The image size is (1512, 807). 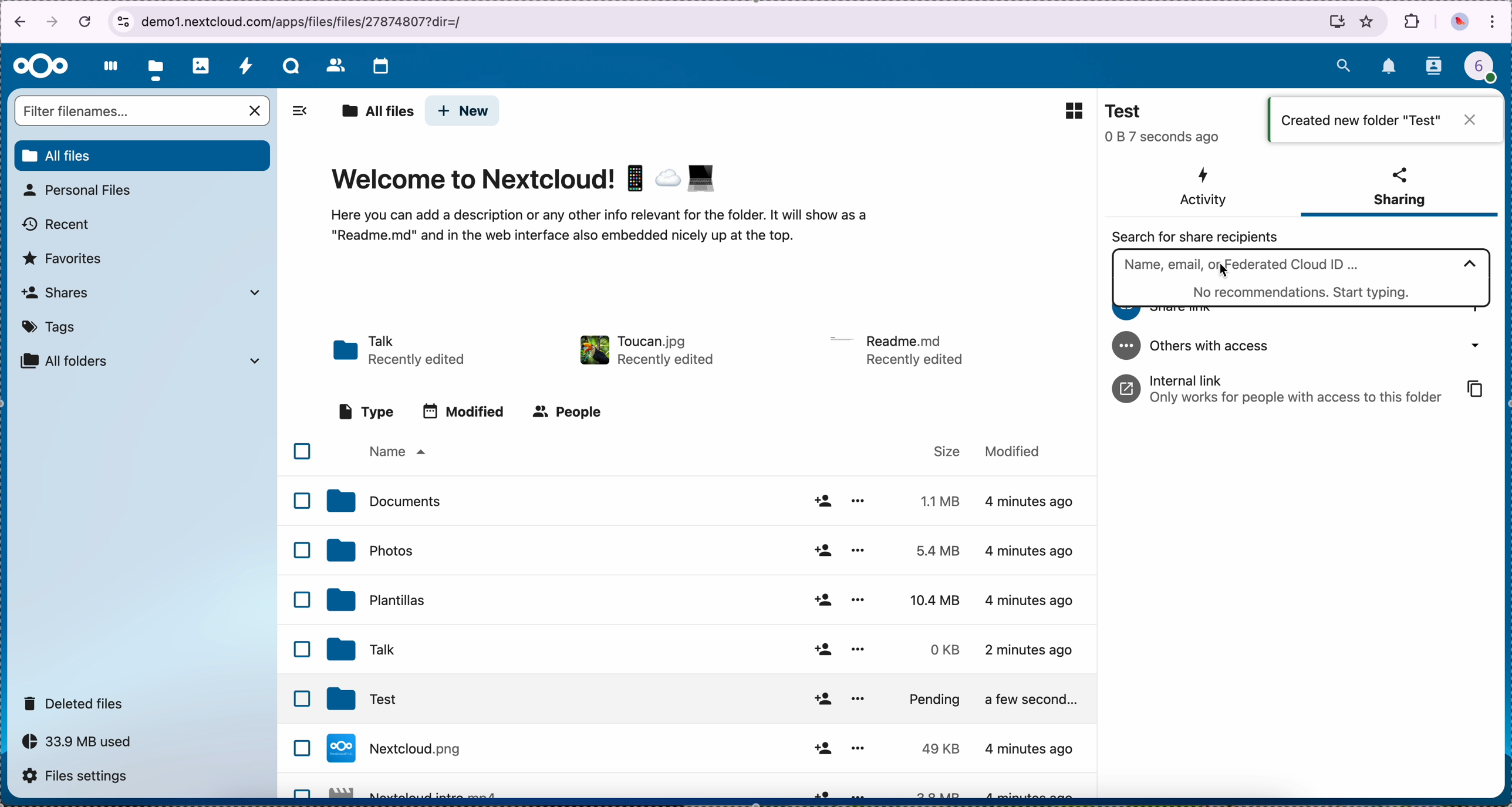 I want to click on search bar, so click(x=144, y=112).